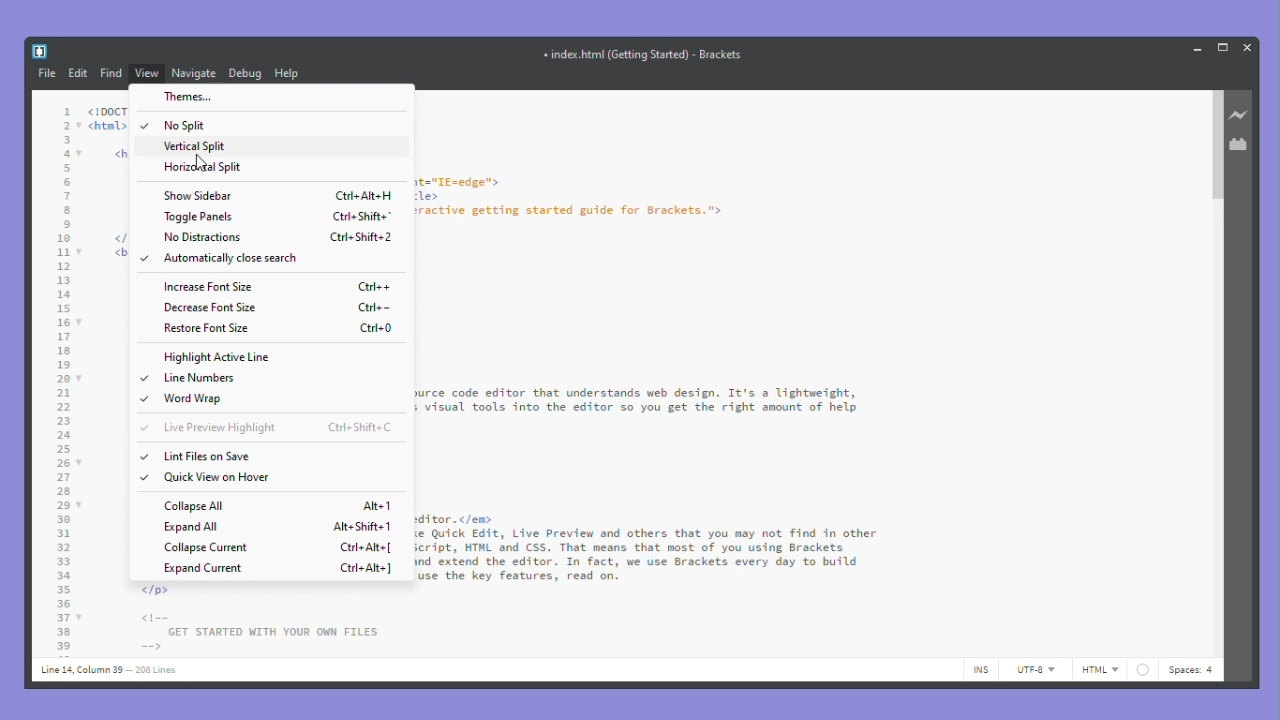 The height and width of the screenshot is (720, 1280). I want to click on File, so click(46, 73).